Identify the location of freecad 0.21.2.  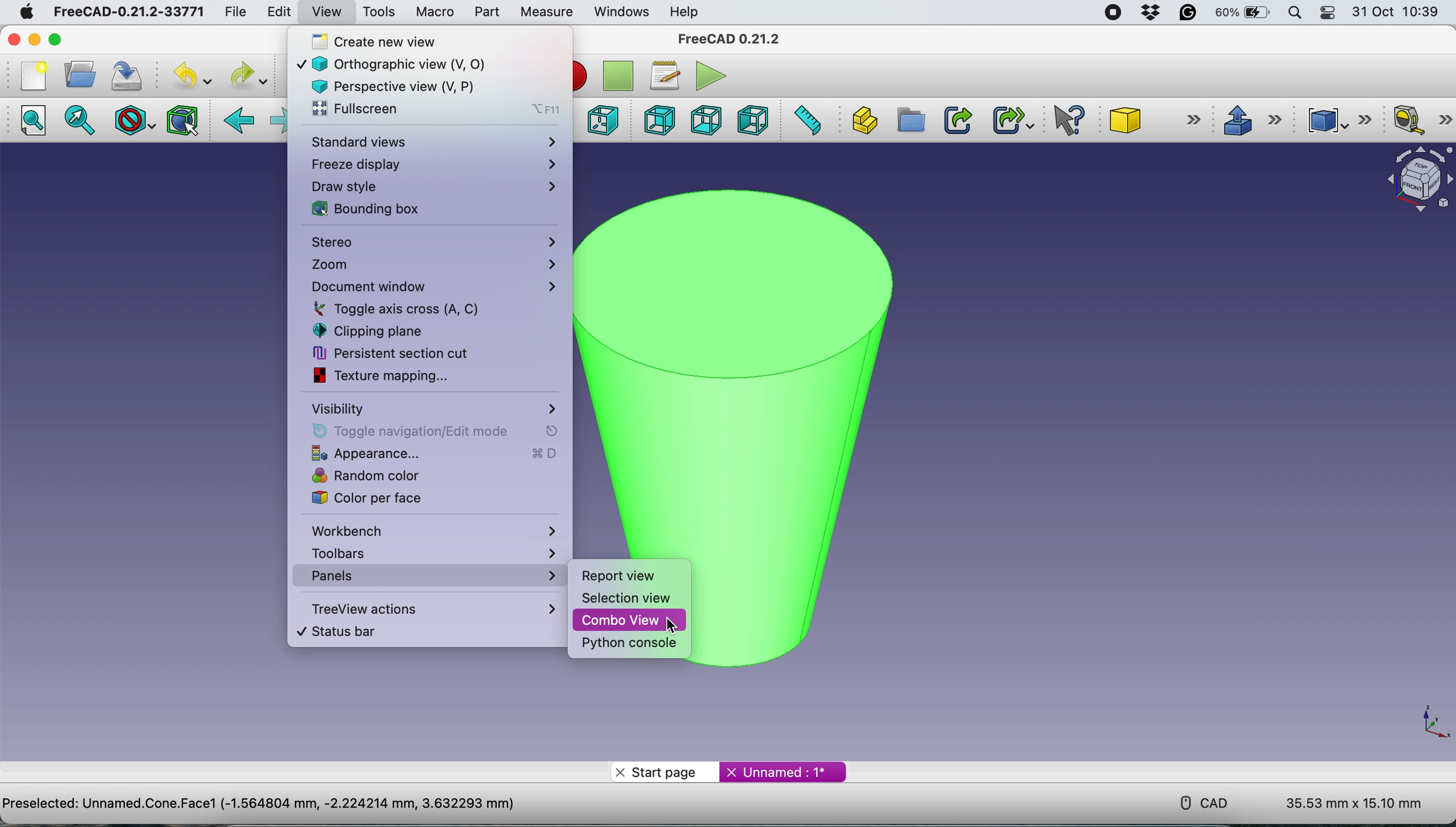
(726, 39).